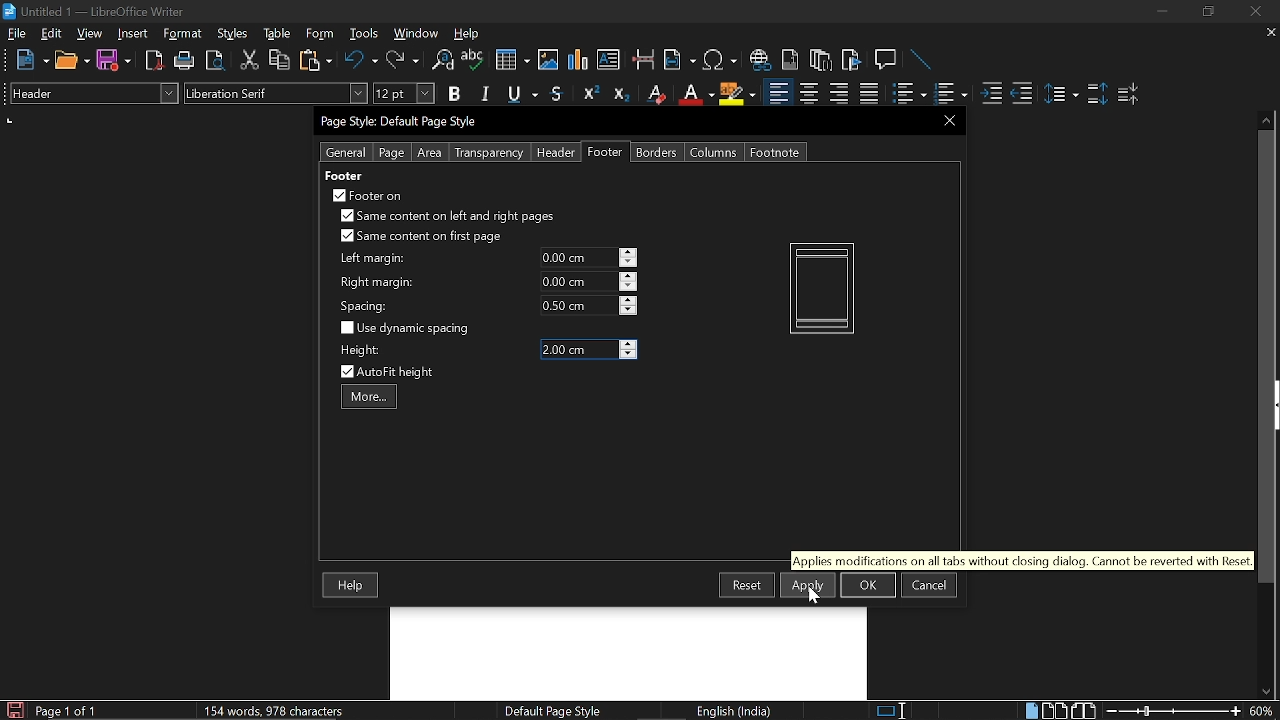 Image resolution: width=1280 pixels, height=720 pixels. Describe the element at coordinates (578, 350) in the screenshot. I see `Height` at that location.